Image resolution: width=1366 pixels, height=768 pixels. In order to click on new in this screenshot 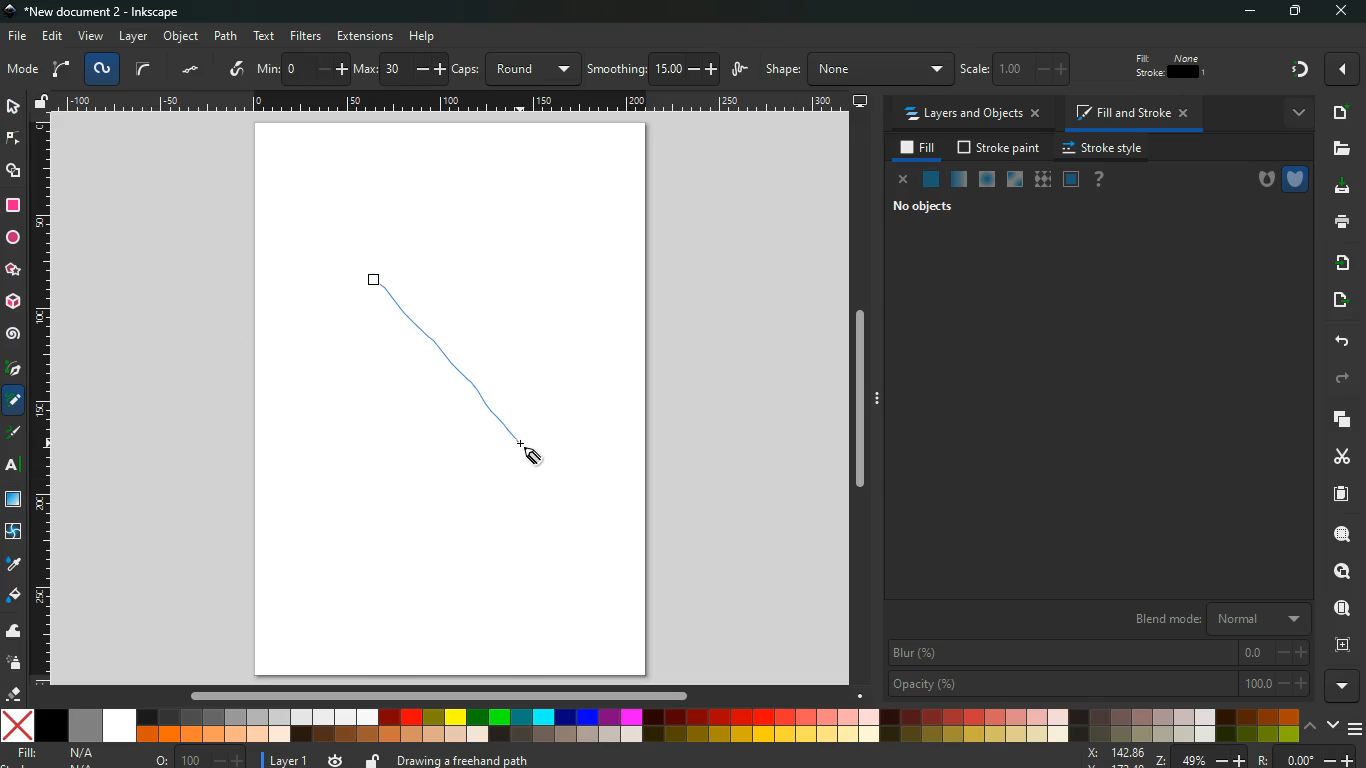, I will do `click(1341, 112)`.